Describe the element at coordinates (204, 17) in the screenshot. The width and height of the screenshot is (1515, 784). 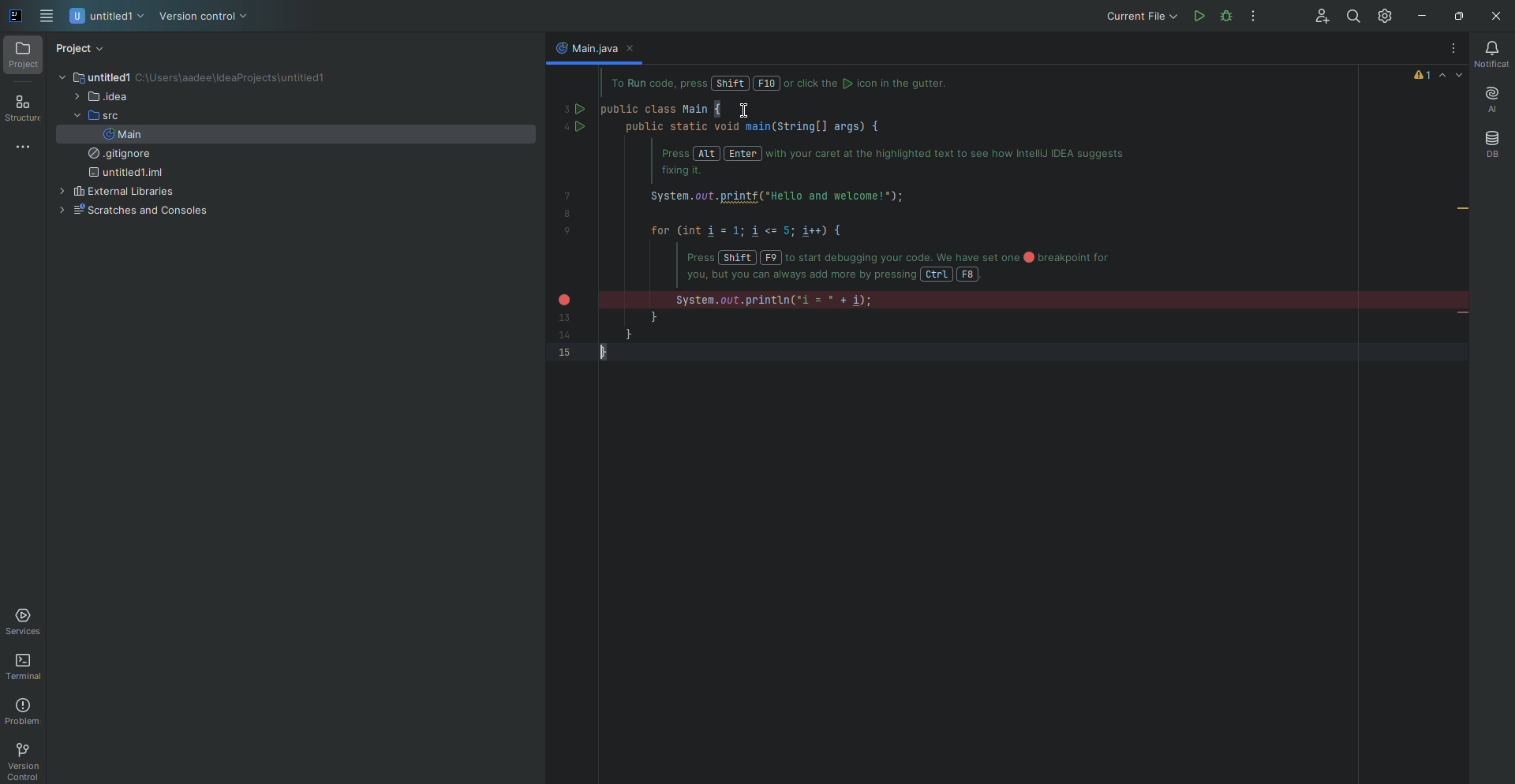
I see `Version Control` at that location.